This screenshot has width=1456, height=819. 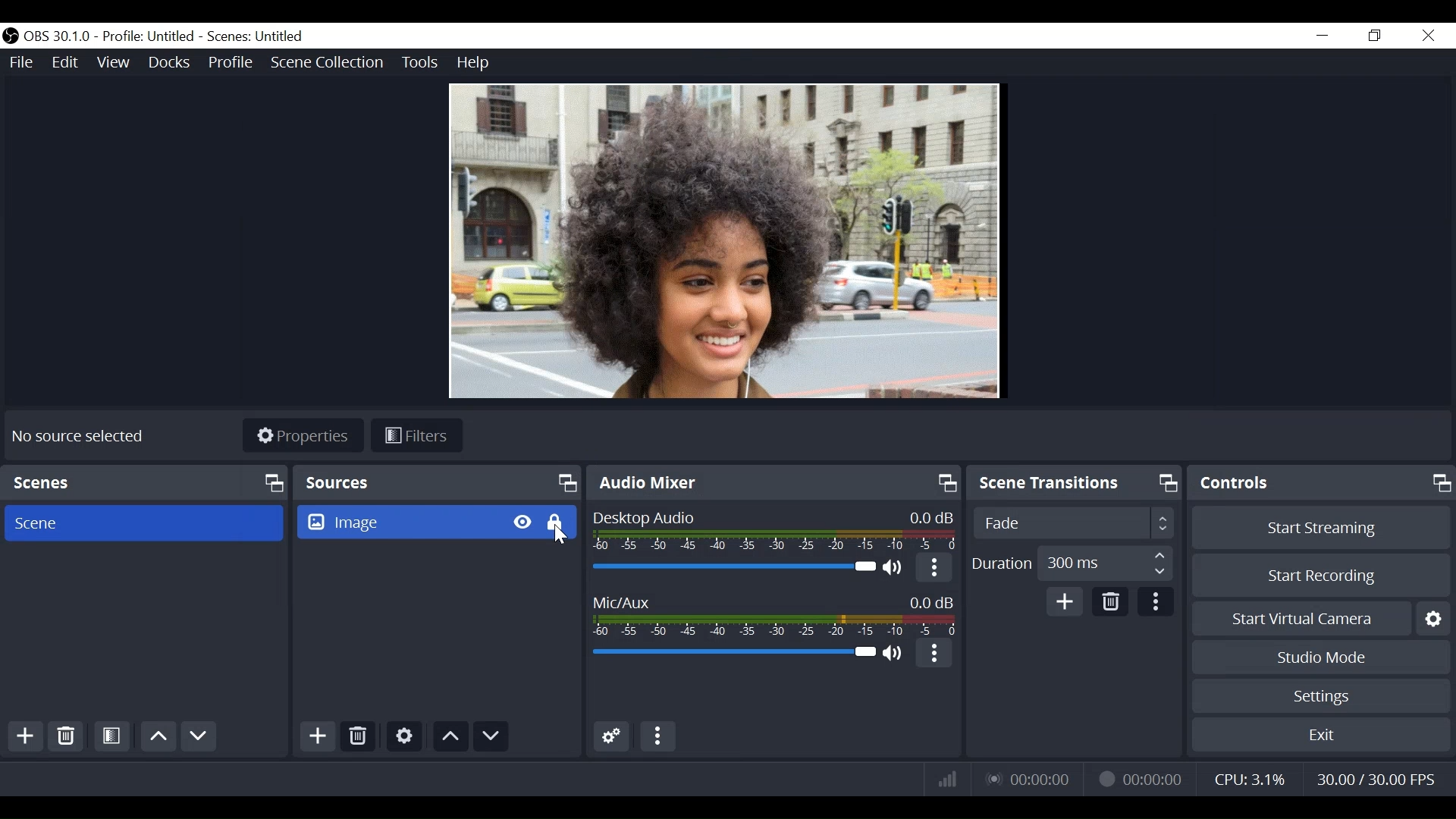 What do you see at coordinates (1321, 576) in the screenshot?
I see `Start Recording` at bounding box center [1321, 576].